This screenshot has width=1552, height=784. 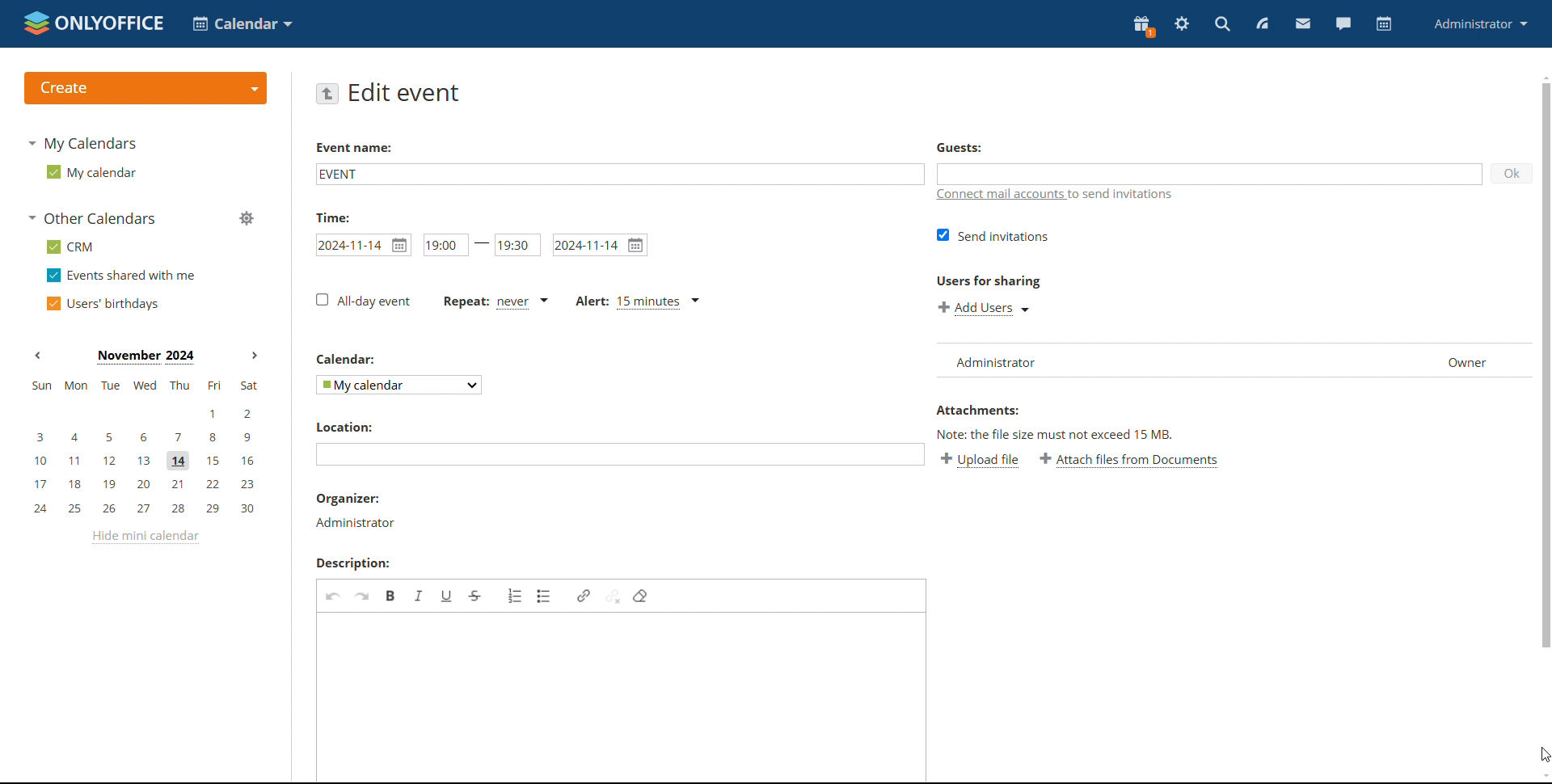 I want to click on users' birthdays, so click(x=100, y=304).